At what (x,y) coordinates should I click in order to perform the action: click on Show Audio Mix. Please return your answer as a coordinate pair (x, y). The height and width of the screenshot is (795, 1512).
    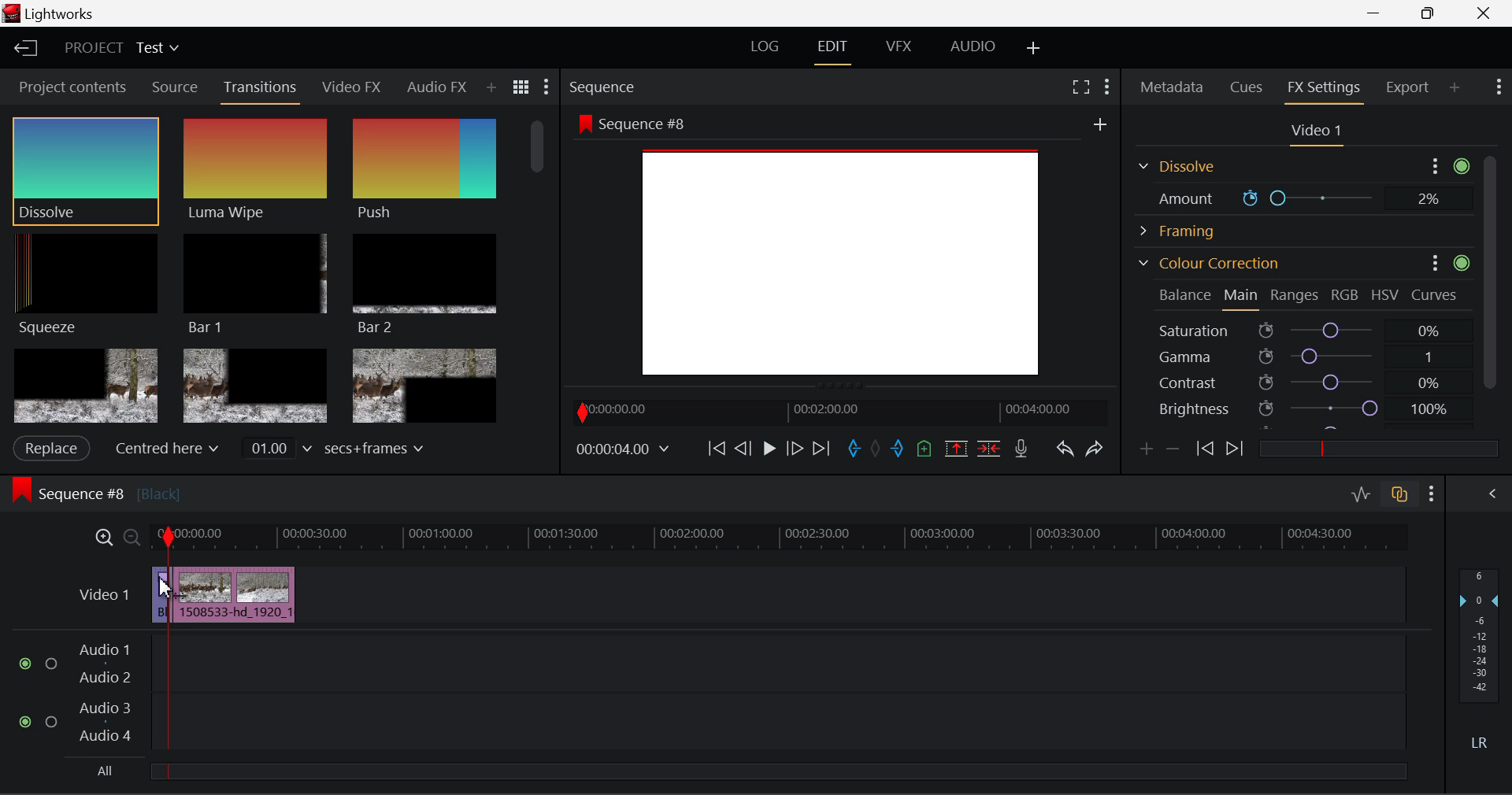
    Looking at the image, I should click on (1494, 492).